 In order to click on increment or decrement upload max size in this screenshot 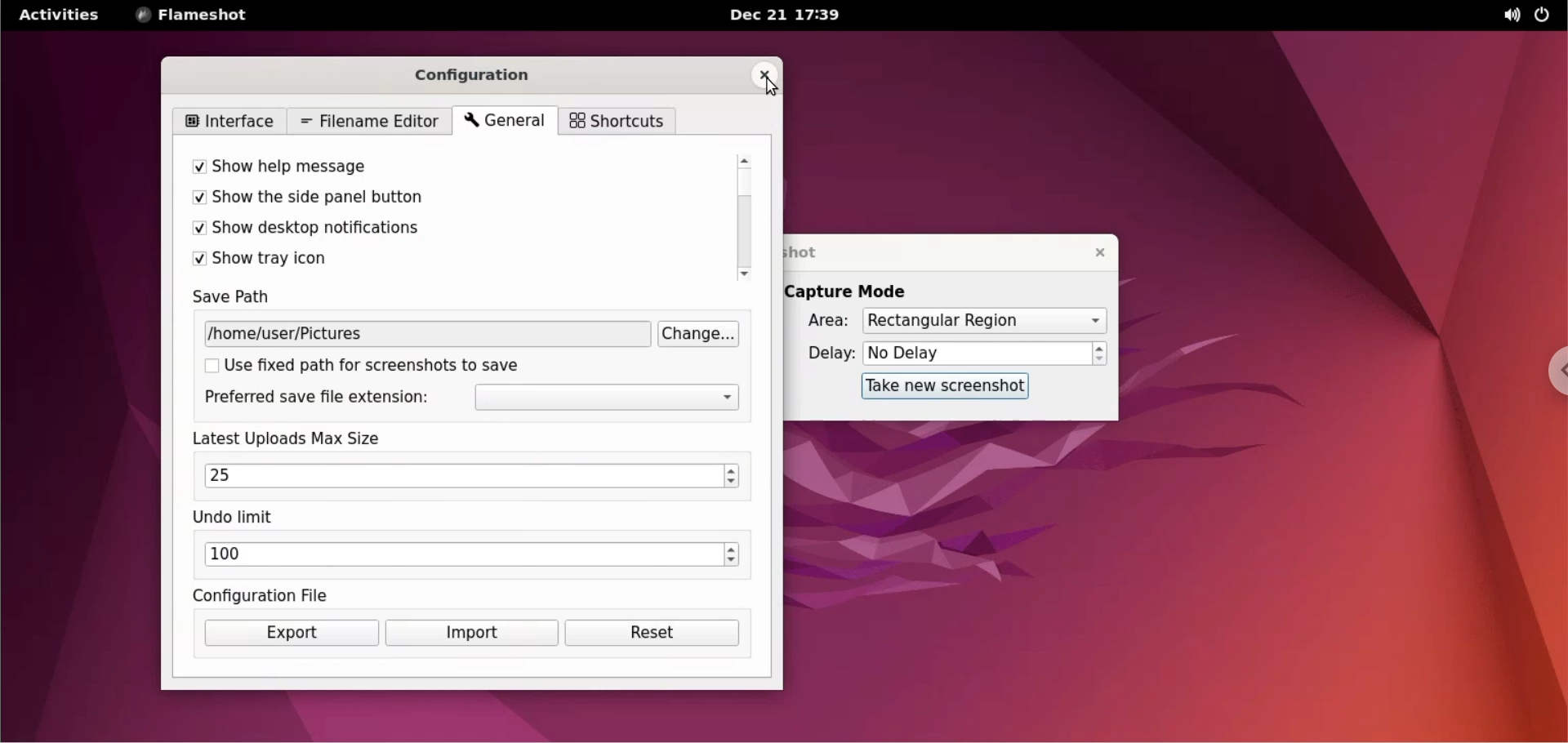, I will do `click(732, 476)`.